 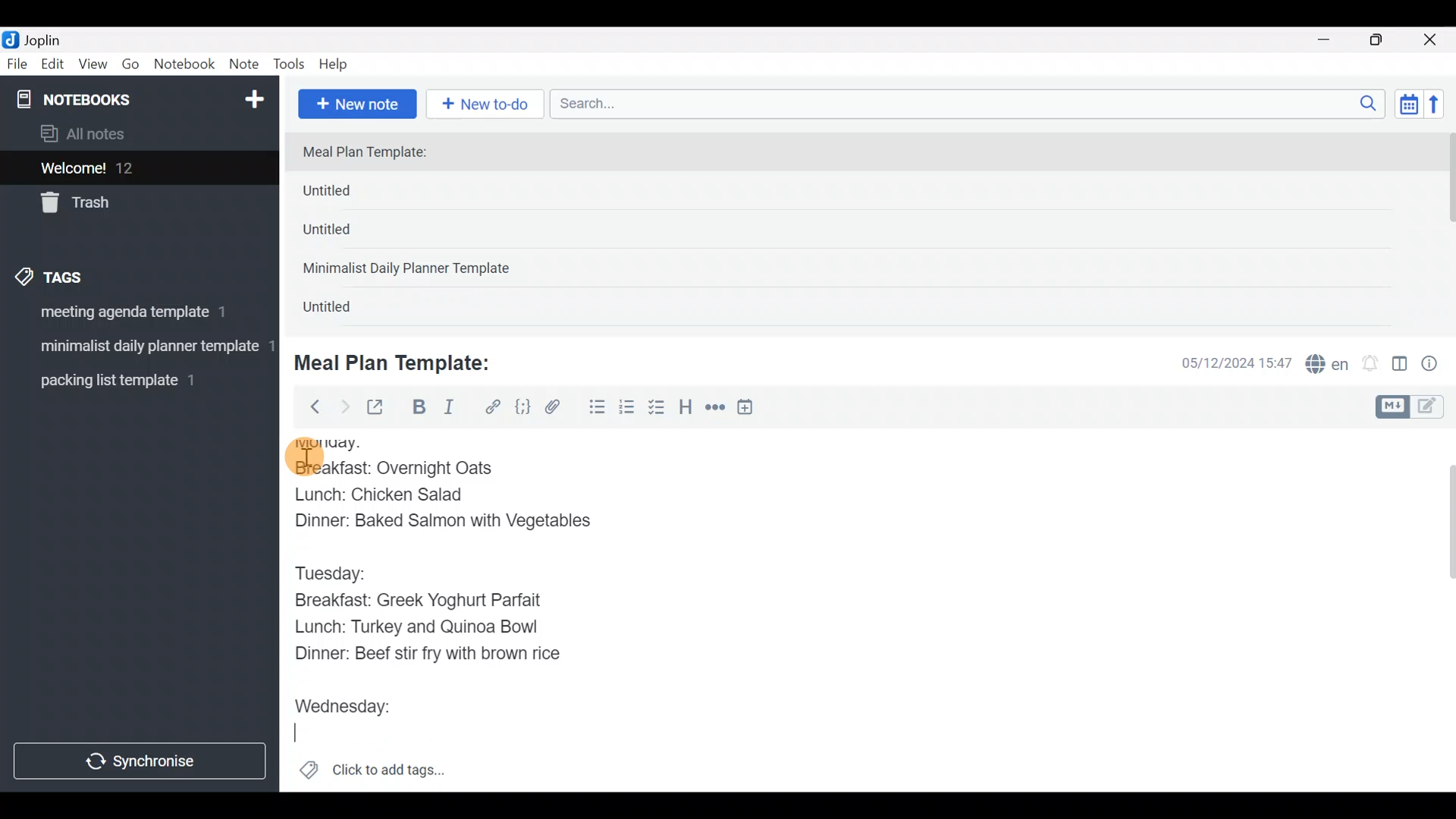 What do you see at coordinates (303, 456) in the screenshot?
I see `cursor` at bounding box center [303, 456].